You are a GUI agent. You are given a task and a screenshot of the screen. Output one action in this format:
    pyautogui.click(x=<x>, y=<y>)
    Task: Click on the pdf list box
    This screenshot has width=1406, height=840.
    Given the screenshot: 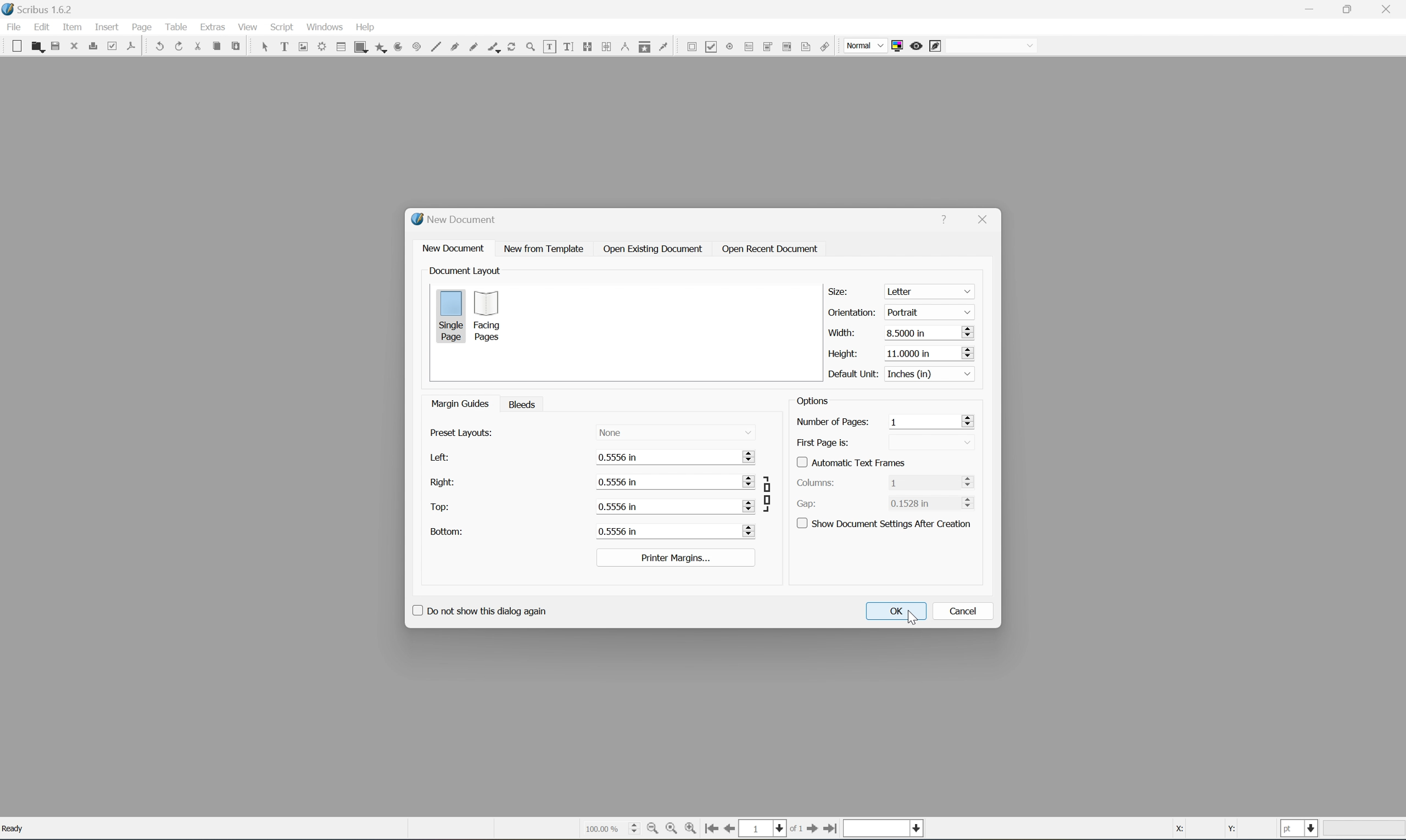 What is the action you would take?
    pyautogui.click(x=788, y=46)
    